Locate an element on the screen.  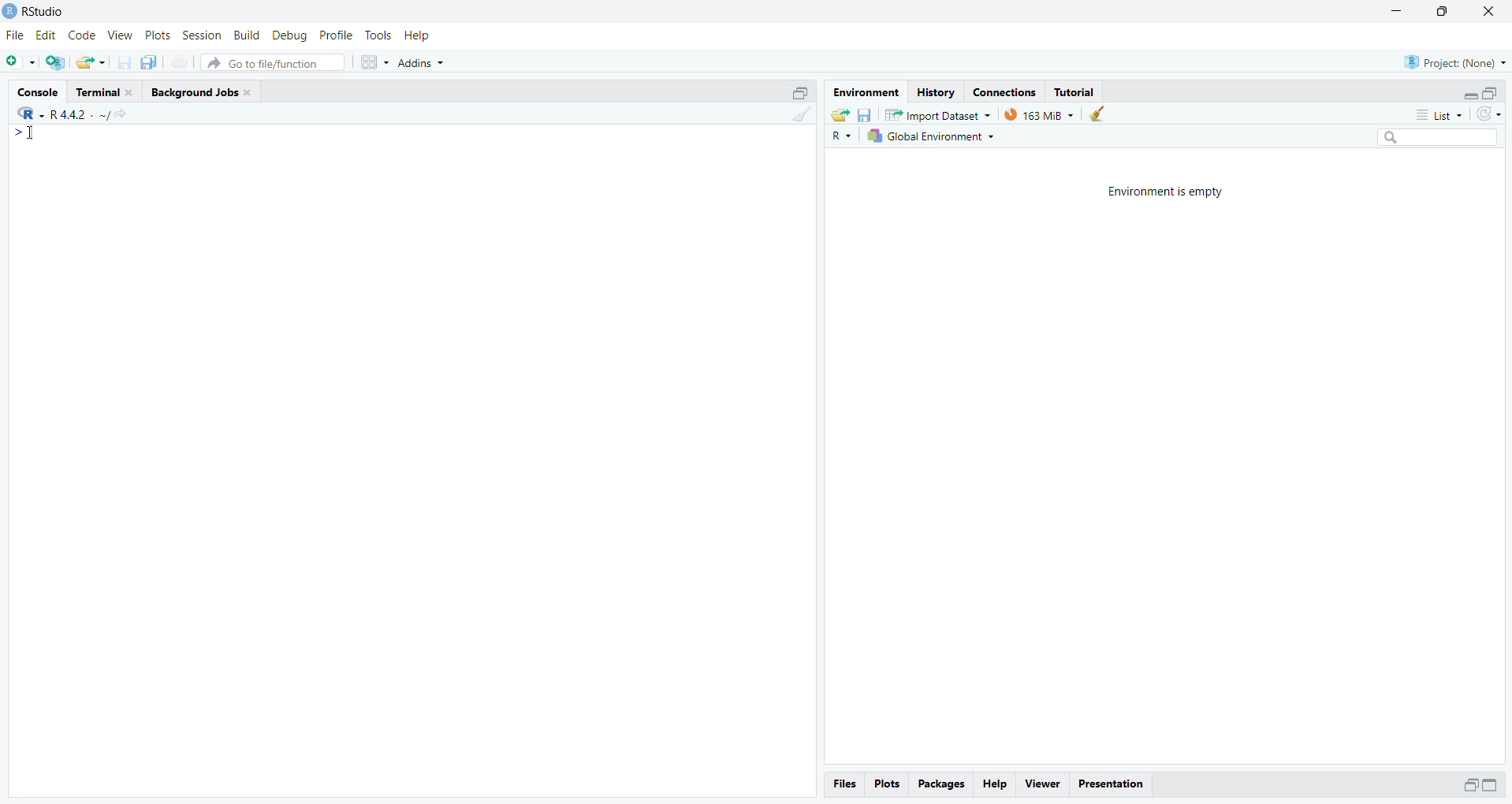
grid is located at coordinates (375, 61).